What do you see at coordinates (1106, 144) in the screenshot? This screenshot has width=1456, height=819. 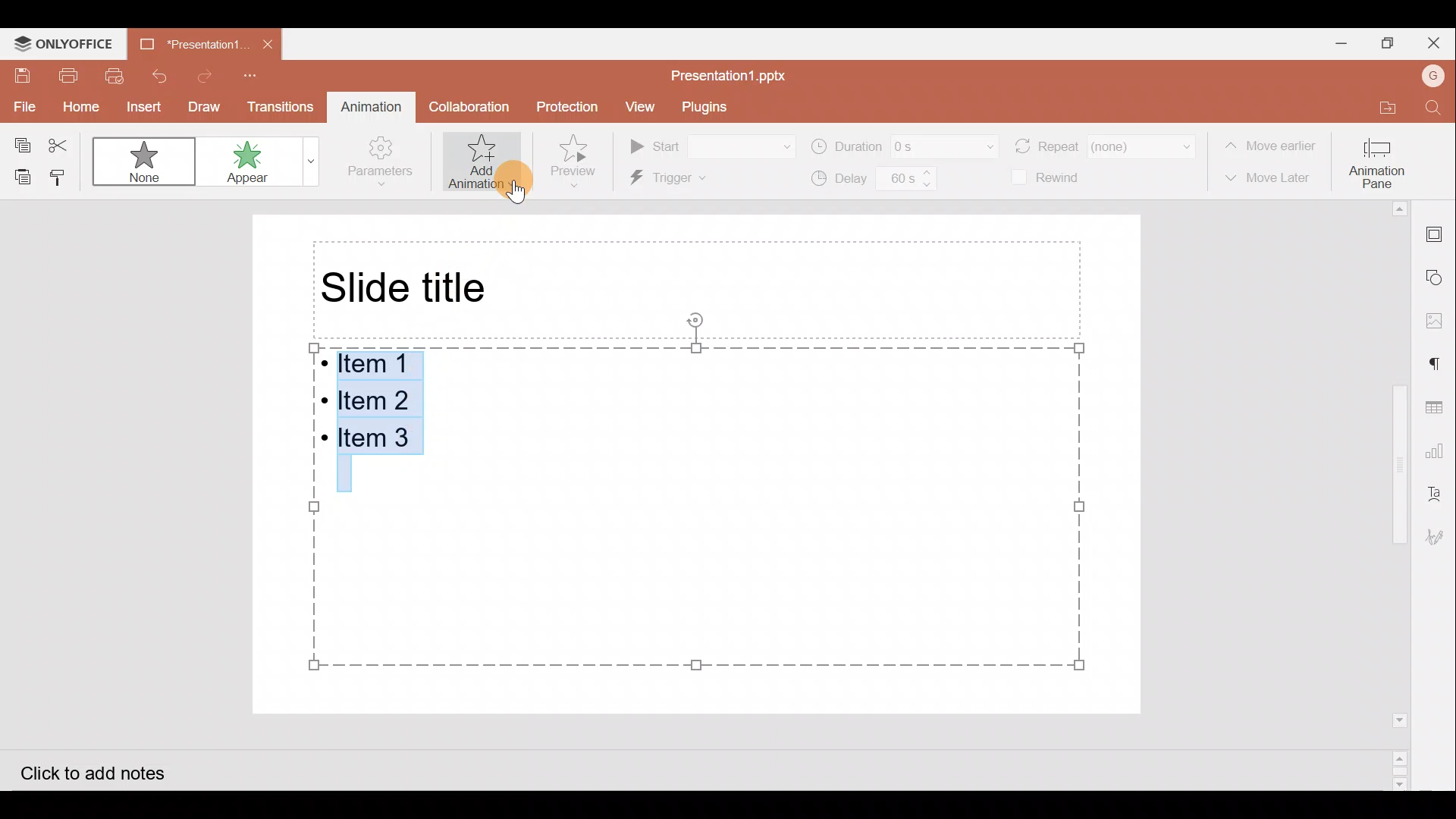 I see `Repeat` at bounding box center [1106, 144].